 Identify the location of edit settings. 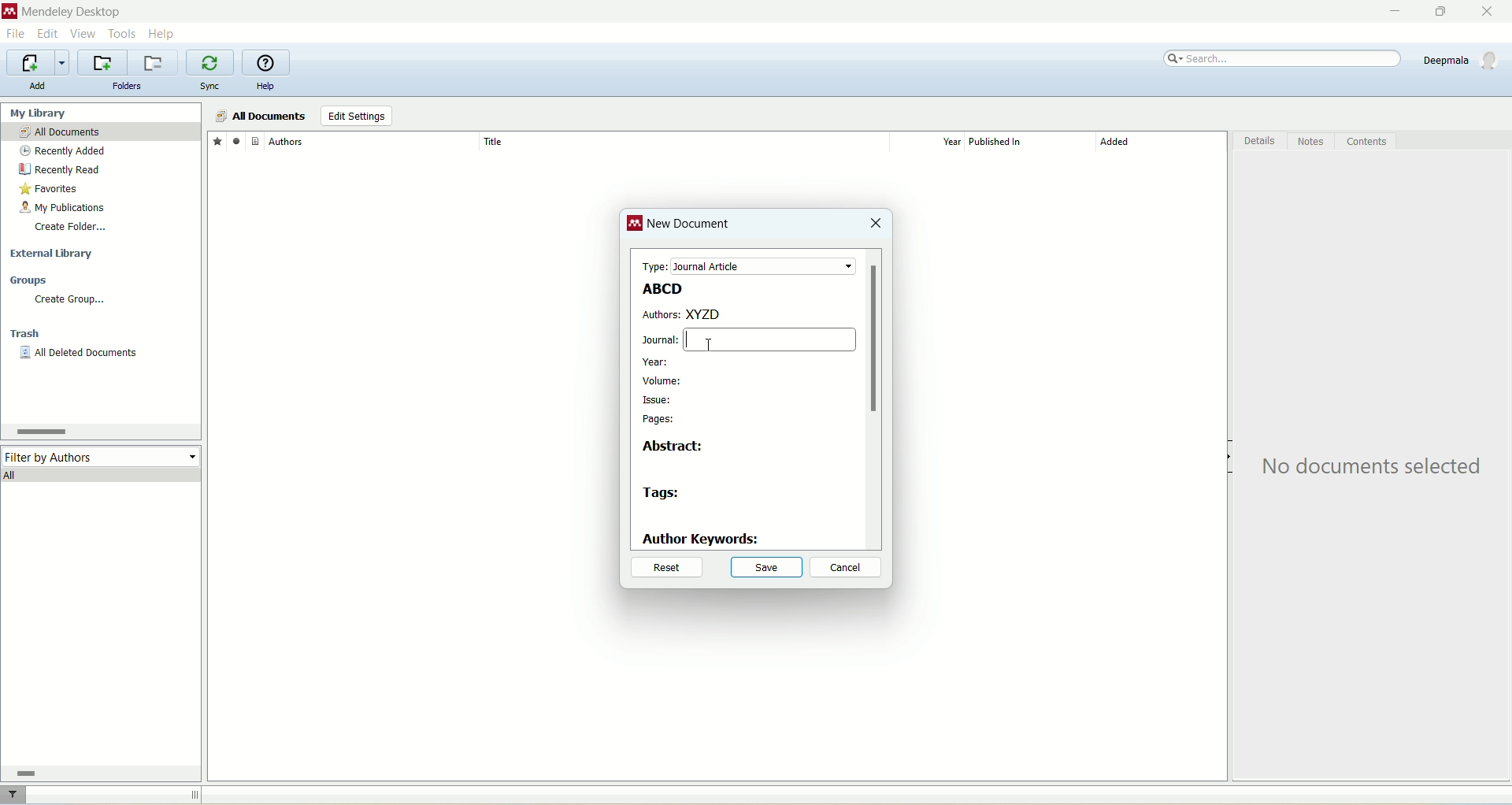
(356, 117).